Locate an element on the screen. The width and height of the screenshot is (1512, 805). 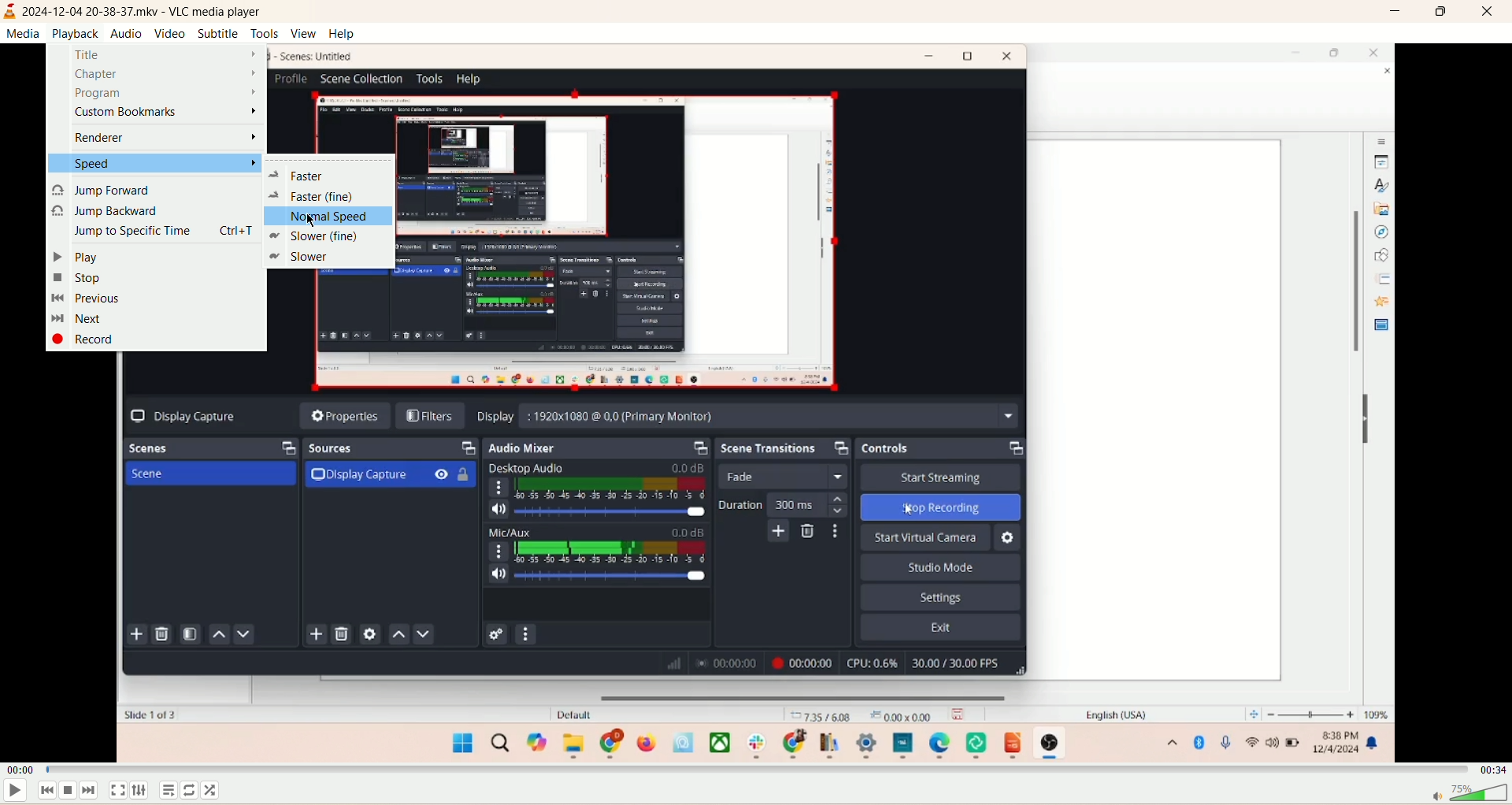
stop is located at coordinates (68, 791).